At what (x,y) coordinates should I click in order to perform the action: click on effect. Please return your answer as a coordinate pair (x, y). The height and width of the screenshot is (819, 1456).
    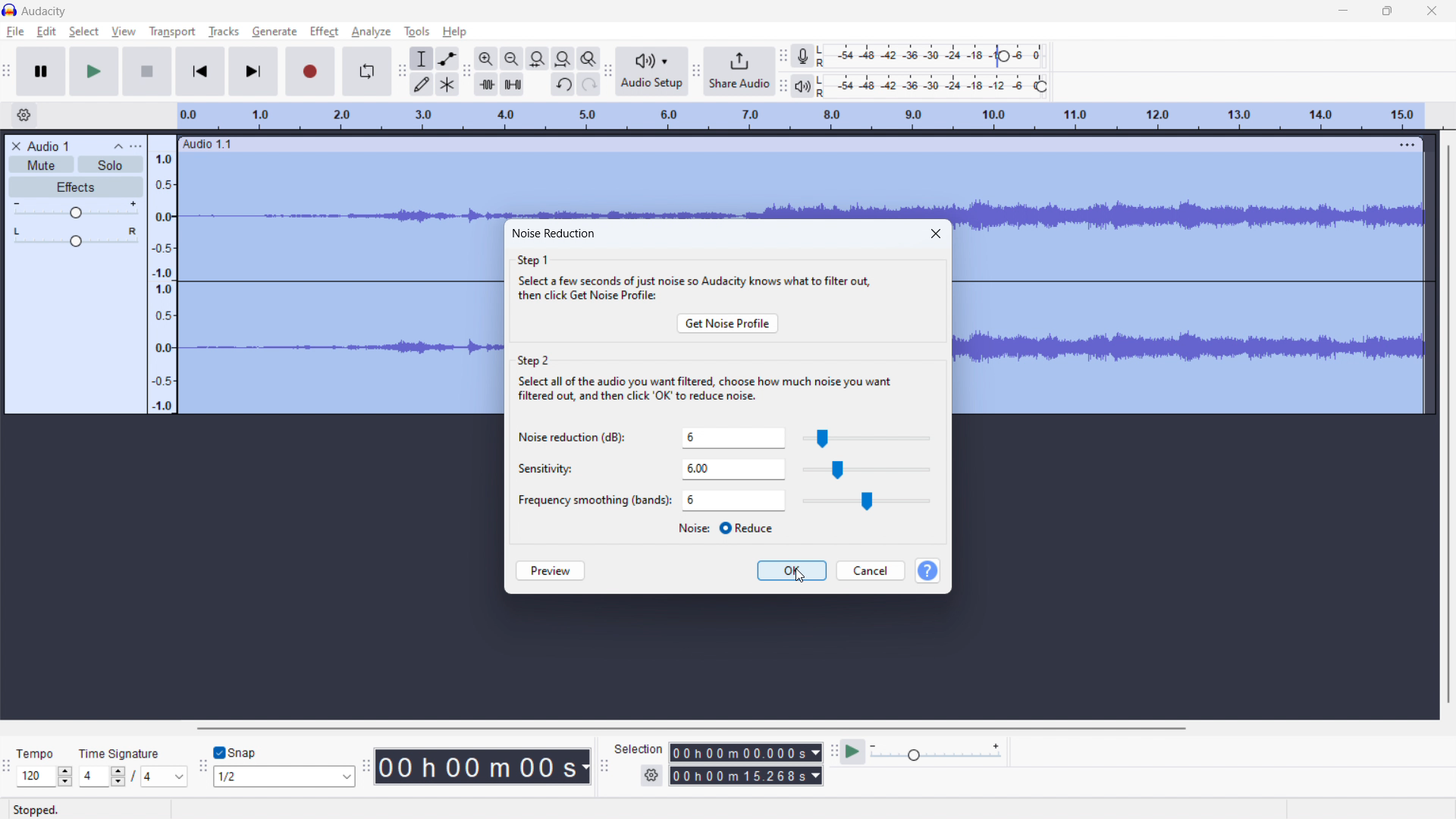
    Looking at the image, I should click on (325, 32).